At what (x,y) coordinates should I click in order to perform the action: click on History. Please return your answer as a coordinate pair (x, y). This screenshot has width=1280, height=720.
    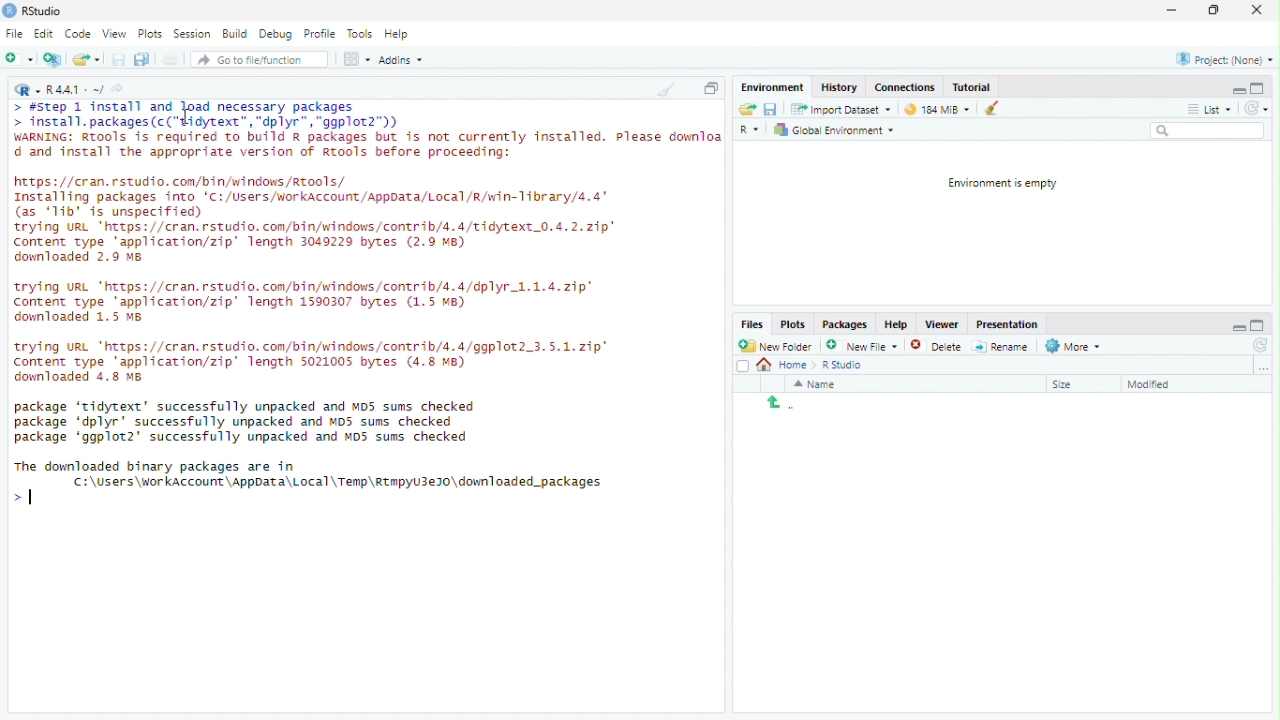
    Looking at the image, I should click on (841, 86).